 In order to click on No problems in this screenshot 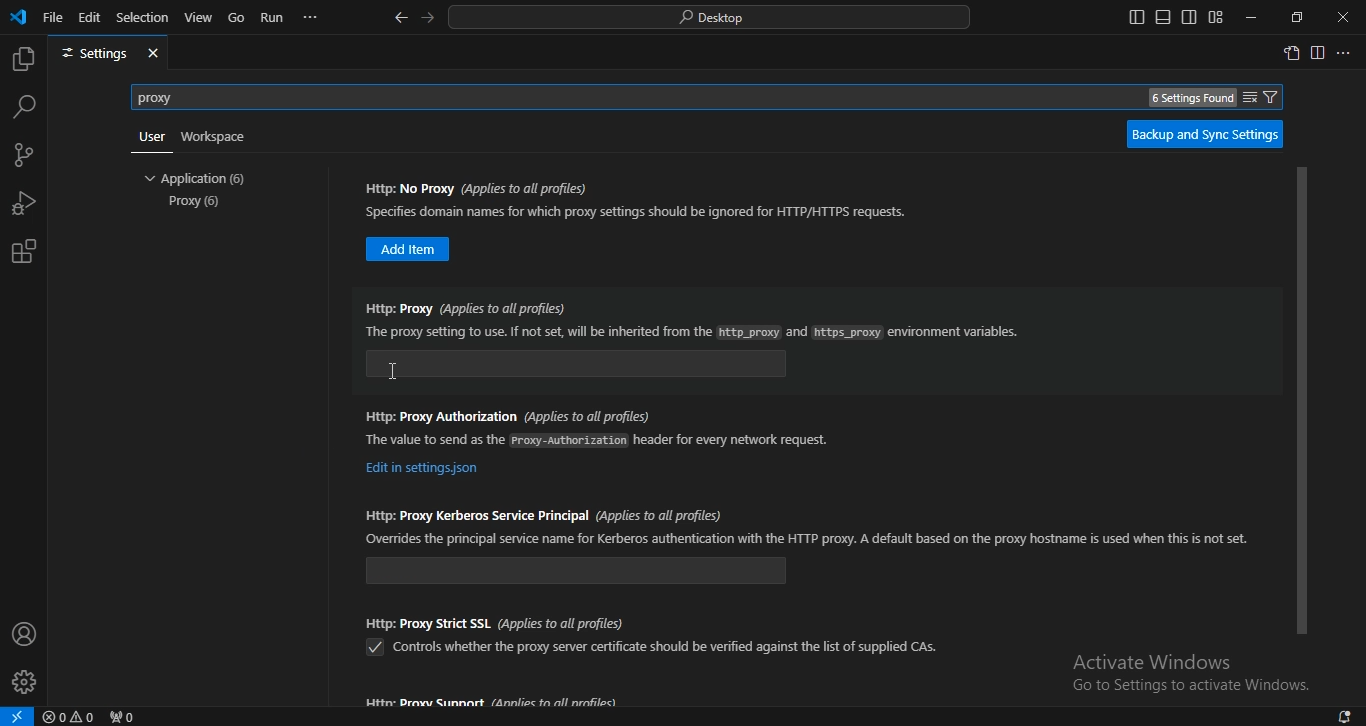, I will do `click(71, 716)`.